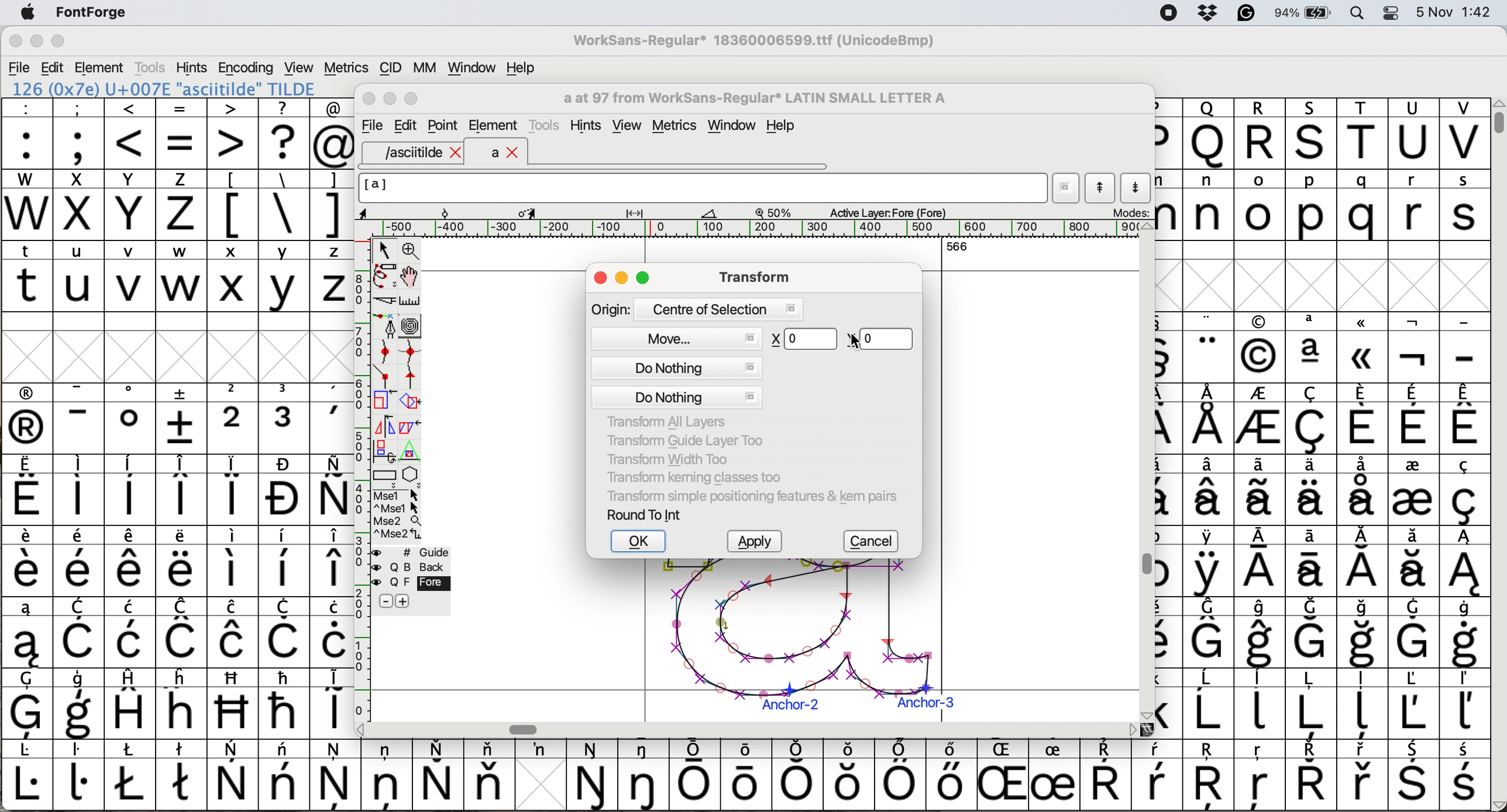 The image size is (1507, 812). Describe the element at coordinates (28, 419) in the screenshot. I see `symbol` at that location.